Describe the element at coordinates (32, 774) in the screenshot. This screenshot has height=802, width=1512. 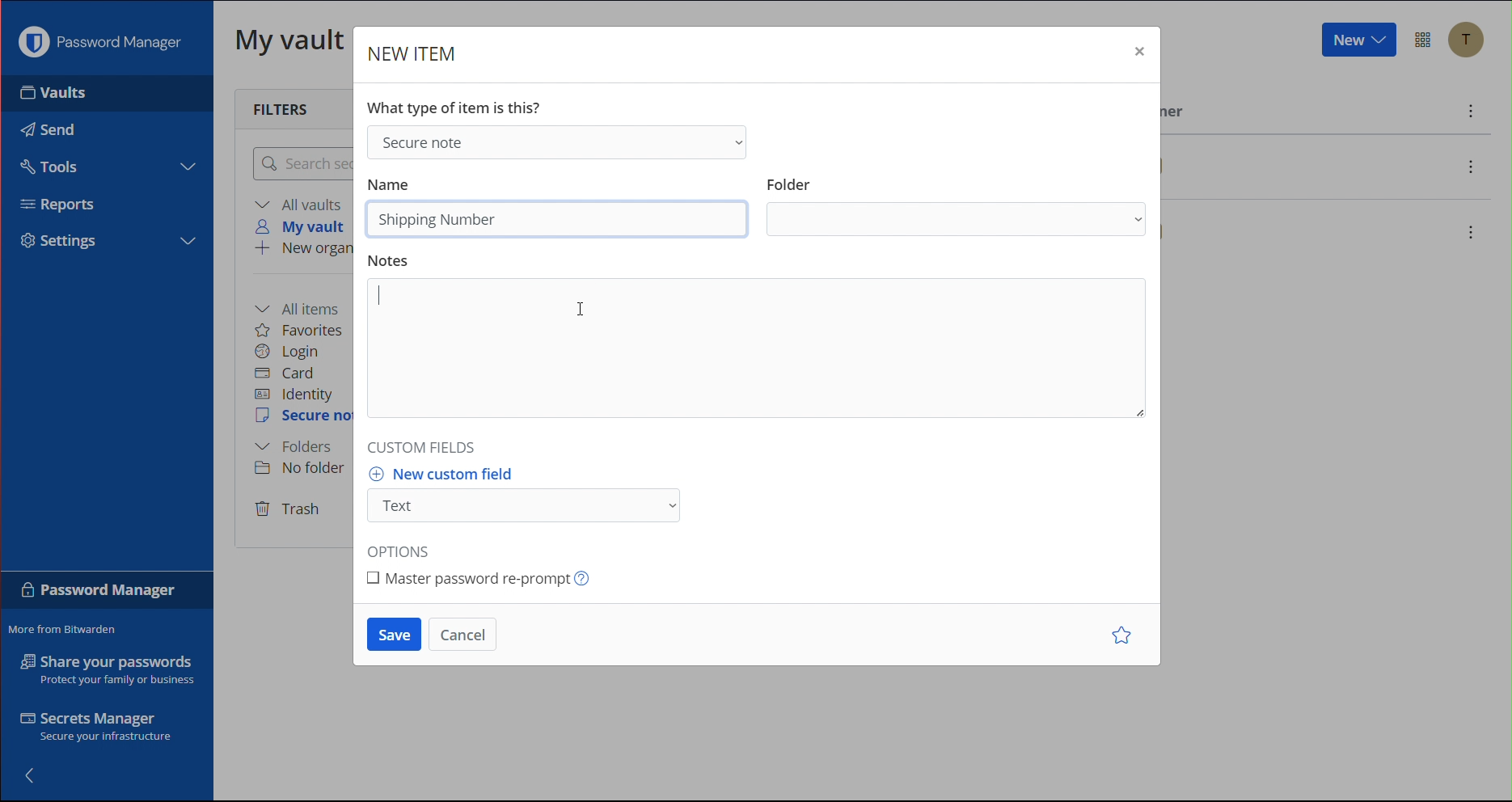
I see `back` at that location.